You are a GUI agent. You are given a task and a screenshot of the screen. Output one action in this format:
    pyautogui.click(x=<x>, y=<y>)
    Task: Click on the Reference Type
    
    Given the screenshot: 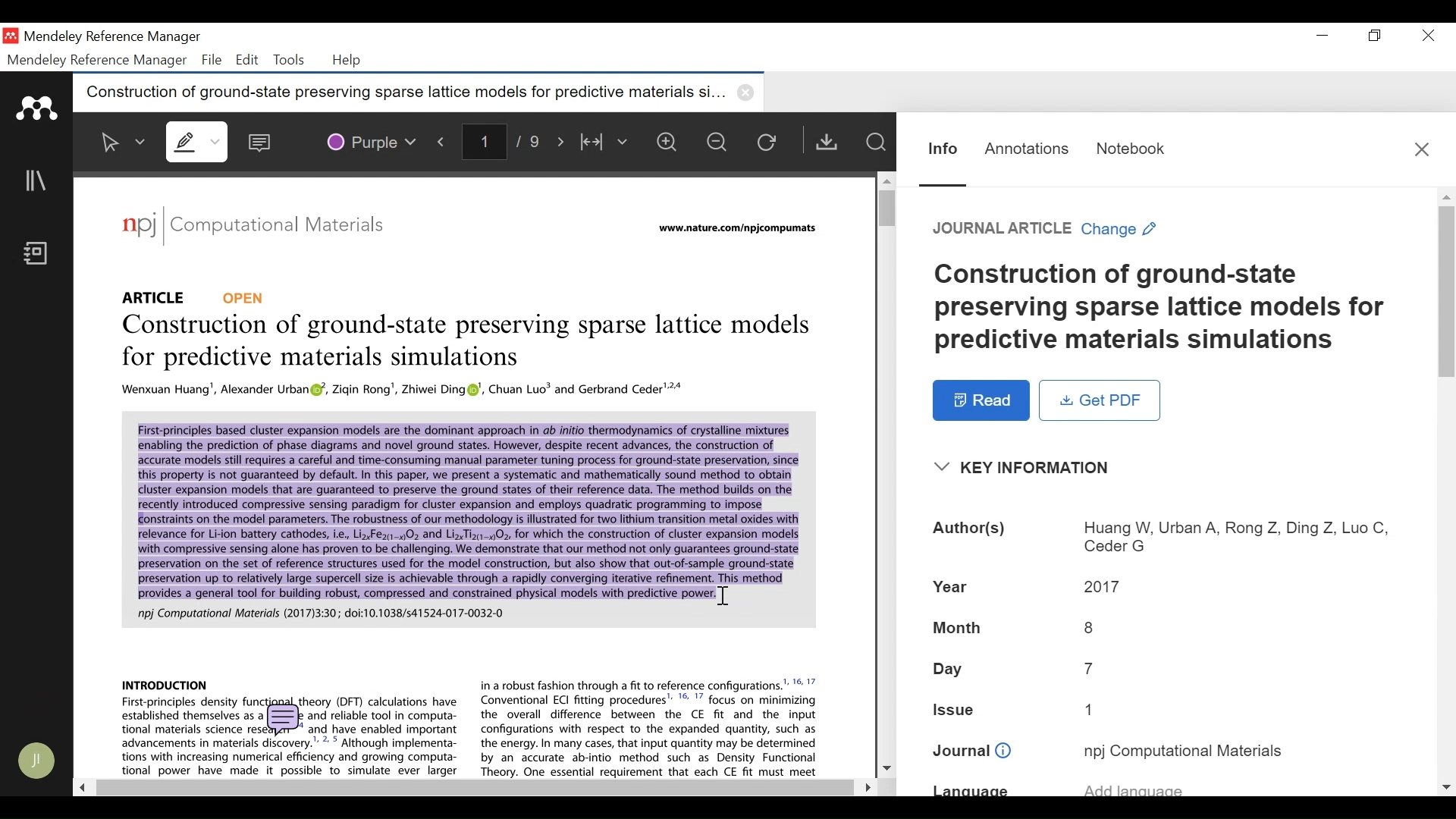 What is the action you would take?
    pyautogui.click(x=195, y=297)
    